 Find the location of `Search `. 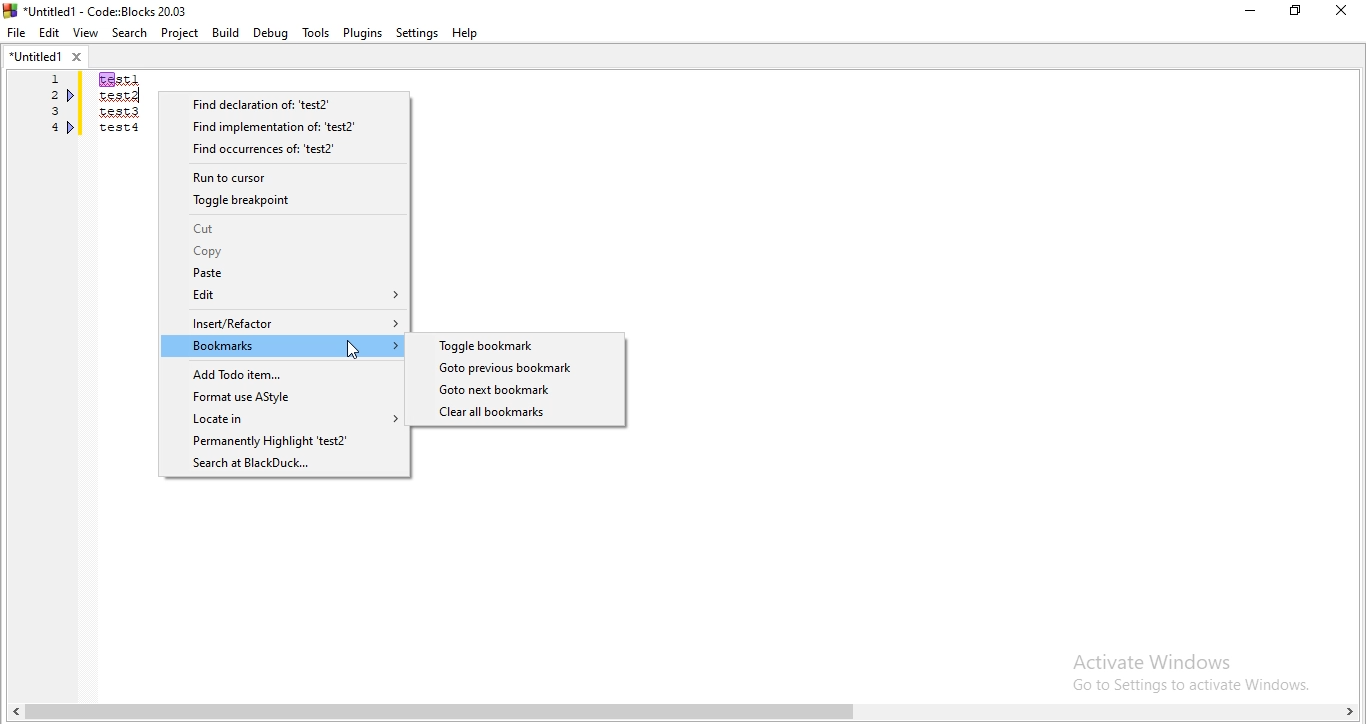

Search  is located at coordinates (131, 34).